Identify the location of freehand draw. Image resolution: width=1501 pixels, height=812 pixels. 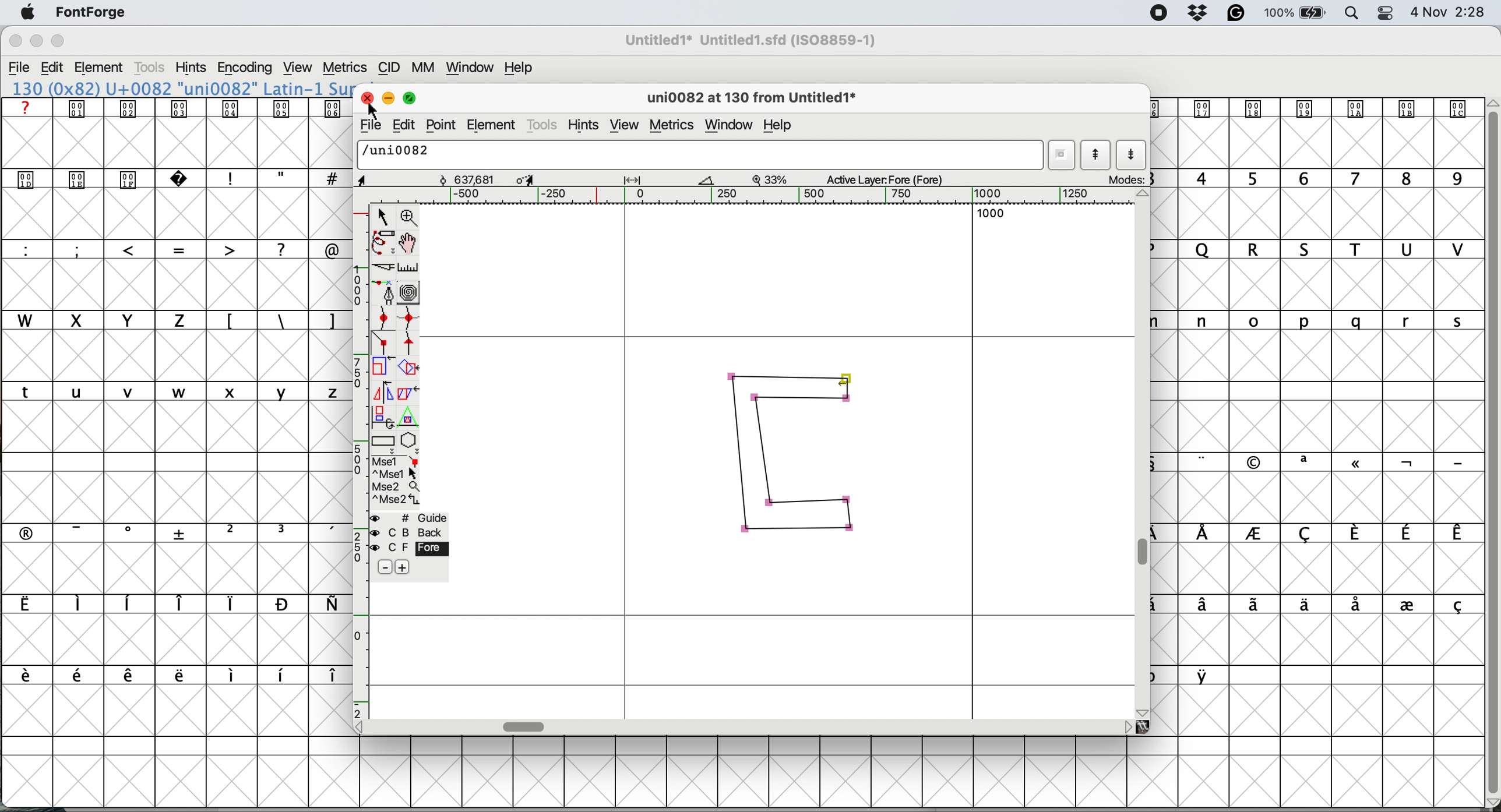
(385, 243).